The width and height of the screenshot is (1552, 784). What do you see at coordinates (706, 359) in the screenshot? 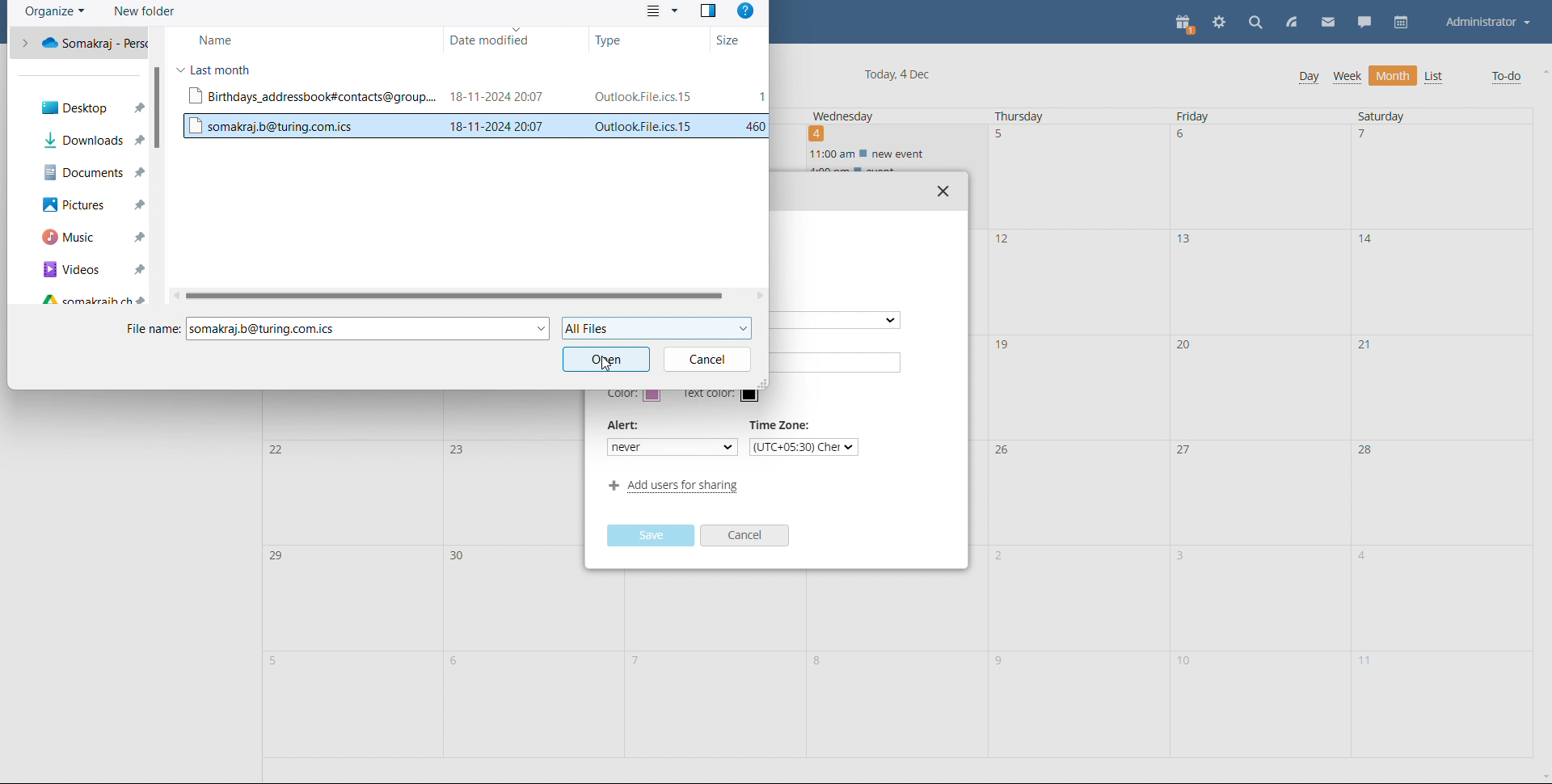
I see `cancel` at bounding box center [706, 359].